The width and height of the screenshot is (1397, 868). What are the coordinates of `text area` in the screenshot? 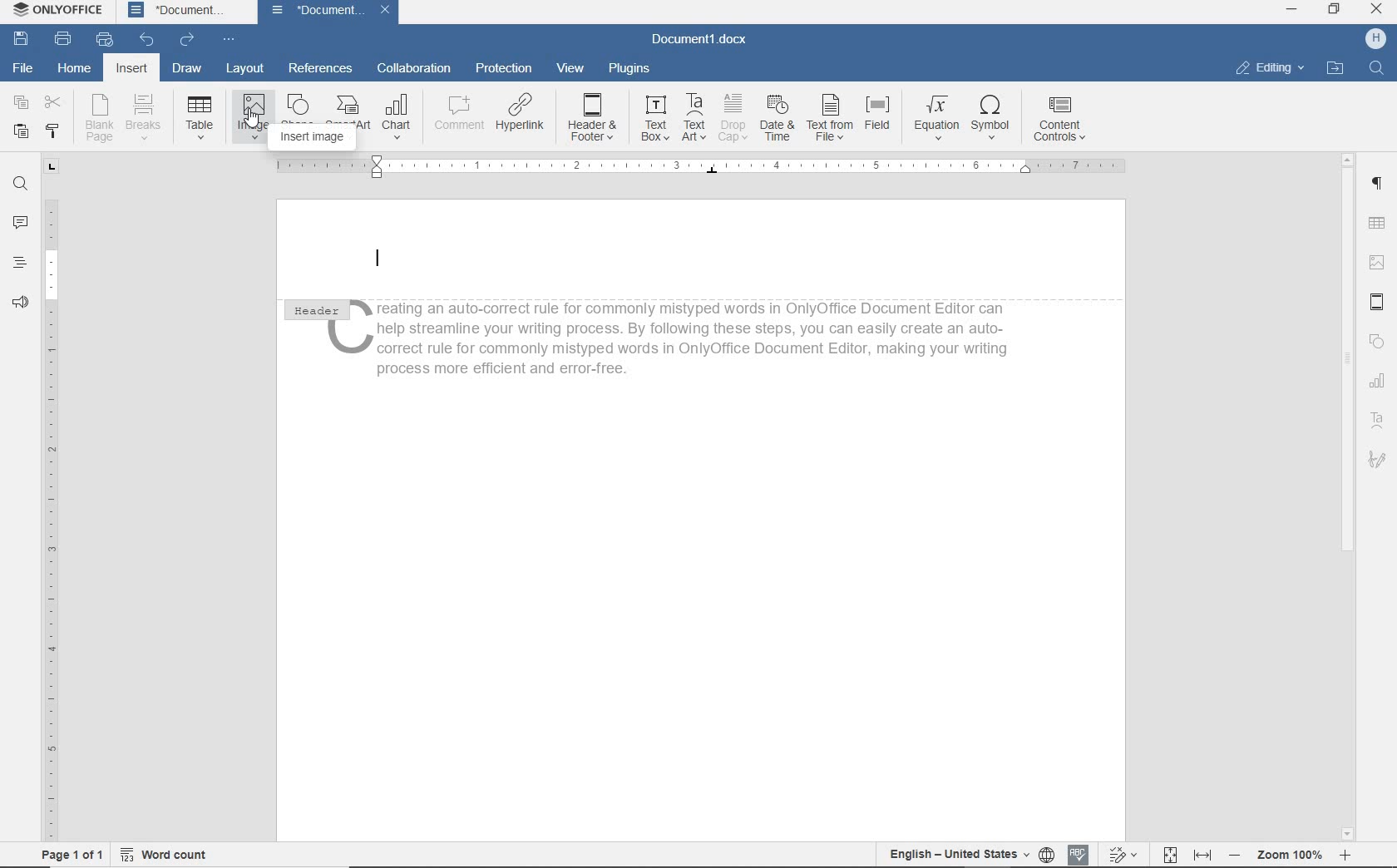 It's located at (1378, 420).